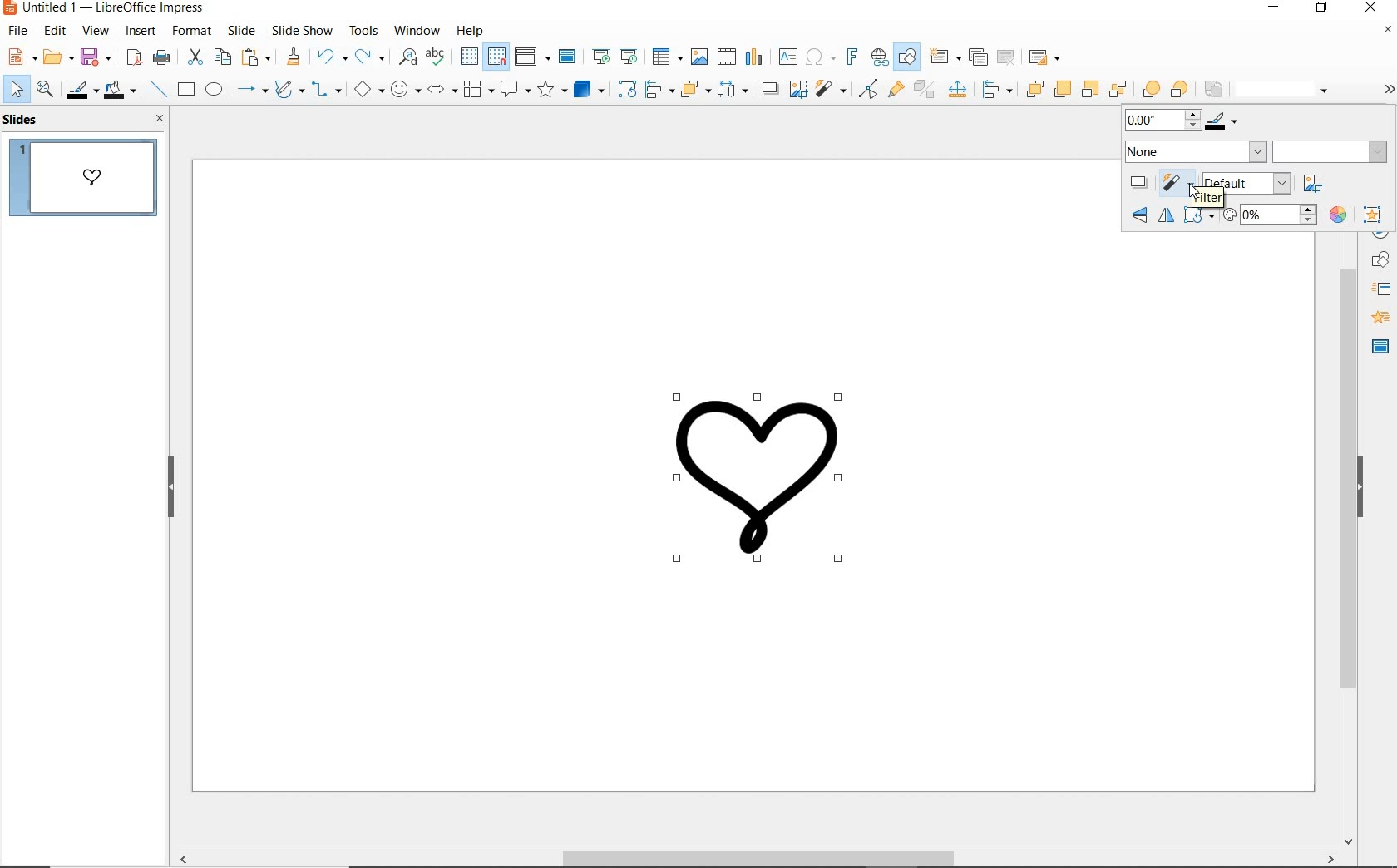 This screenshot has height=868, width=1397. What do you see at coordinates (300, 30) in the screenshot?
I see `slide show` at bounding box center [300, 30].